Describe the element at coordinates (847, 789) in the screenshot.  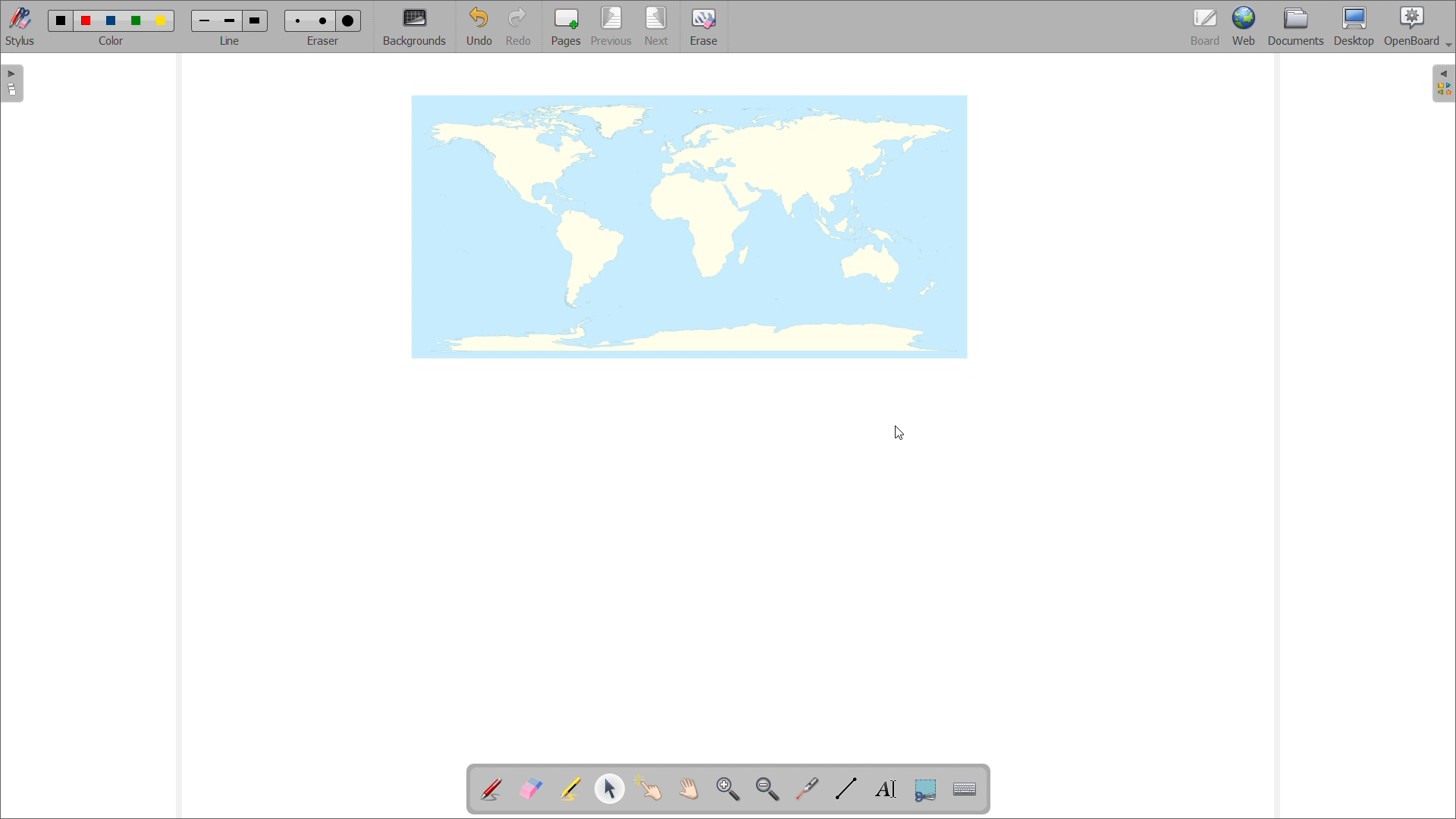
I see `draw lines` at that location.